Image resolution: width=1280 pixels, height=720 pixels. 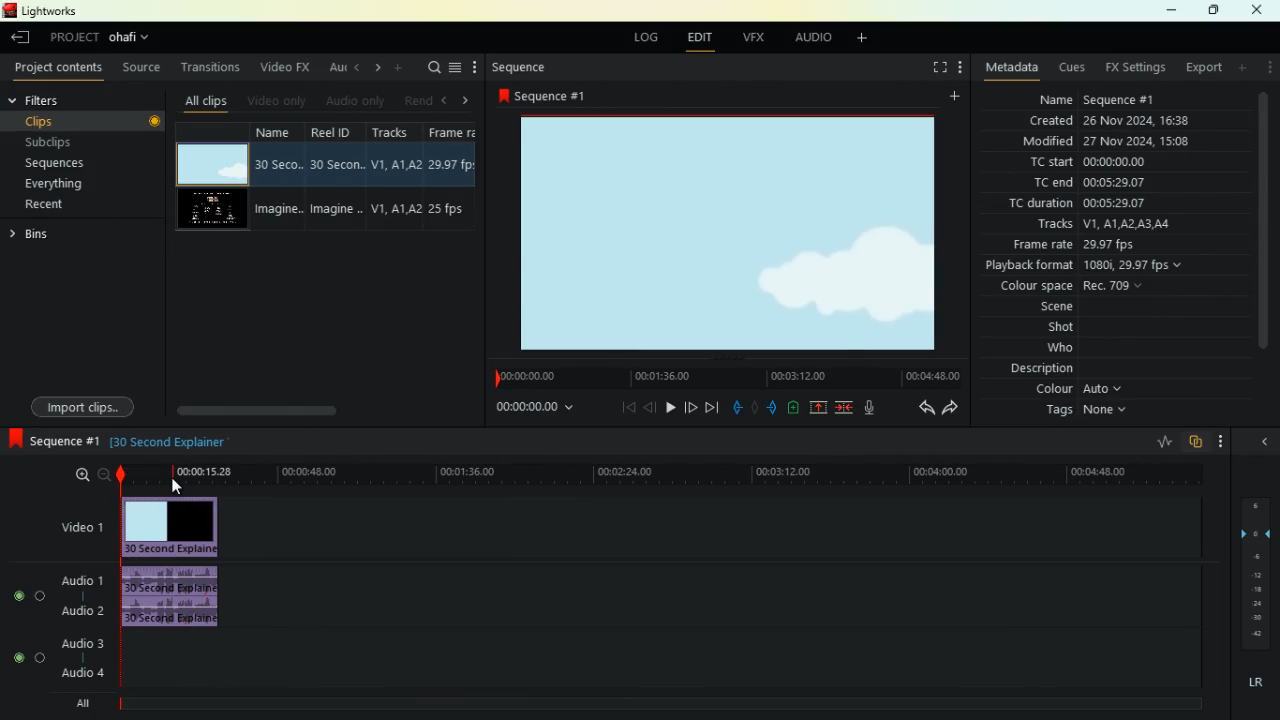 What do you see at coordinates (1257, 10) in the screenshot?
I see `close` at bounding box center [1257, 10].